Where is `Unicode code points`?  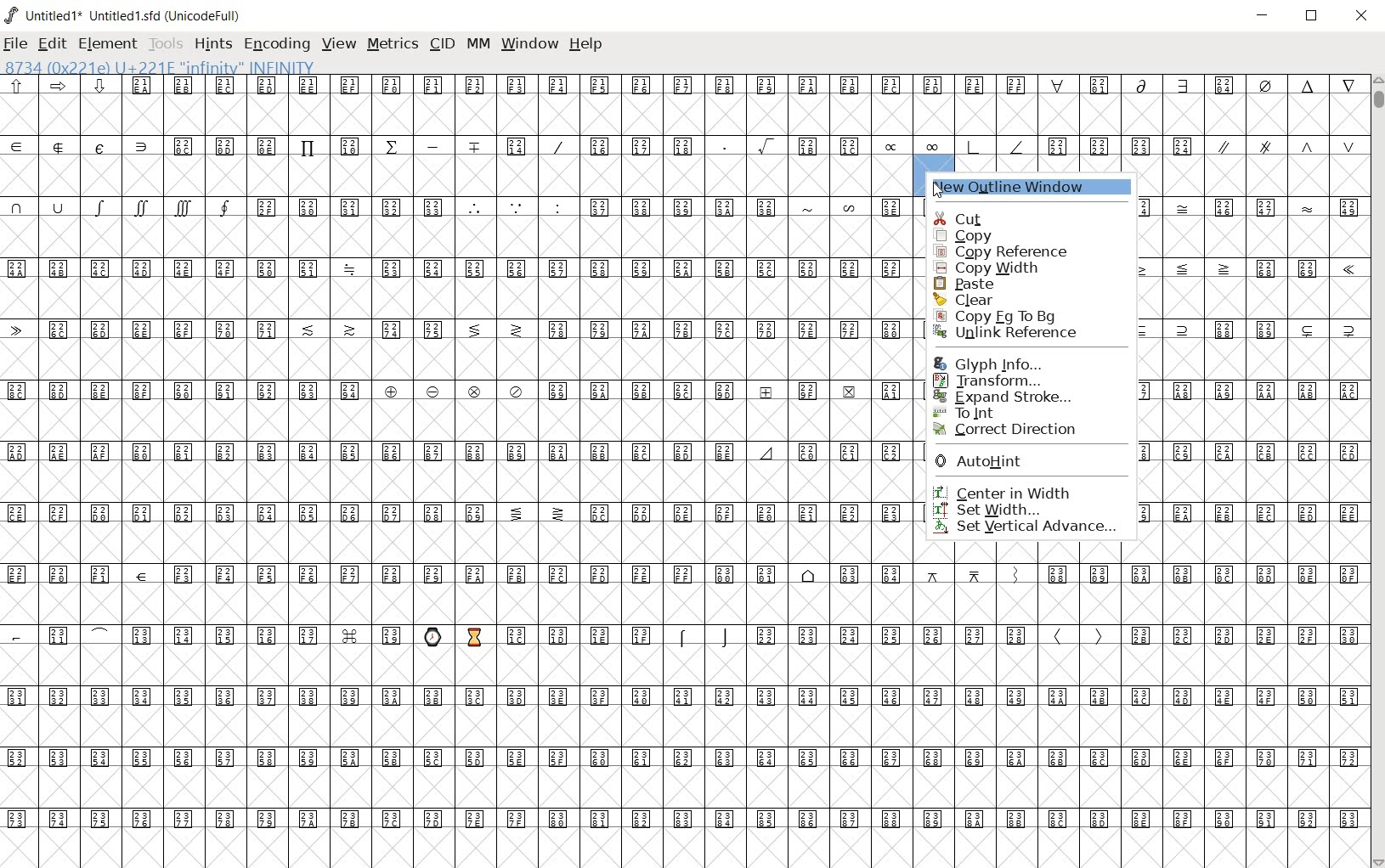 Unicode code points is located at coordinates (689, 759).